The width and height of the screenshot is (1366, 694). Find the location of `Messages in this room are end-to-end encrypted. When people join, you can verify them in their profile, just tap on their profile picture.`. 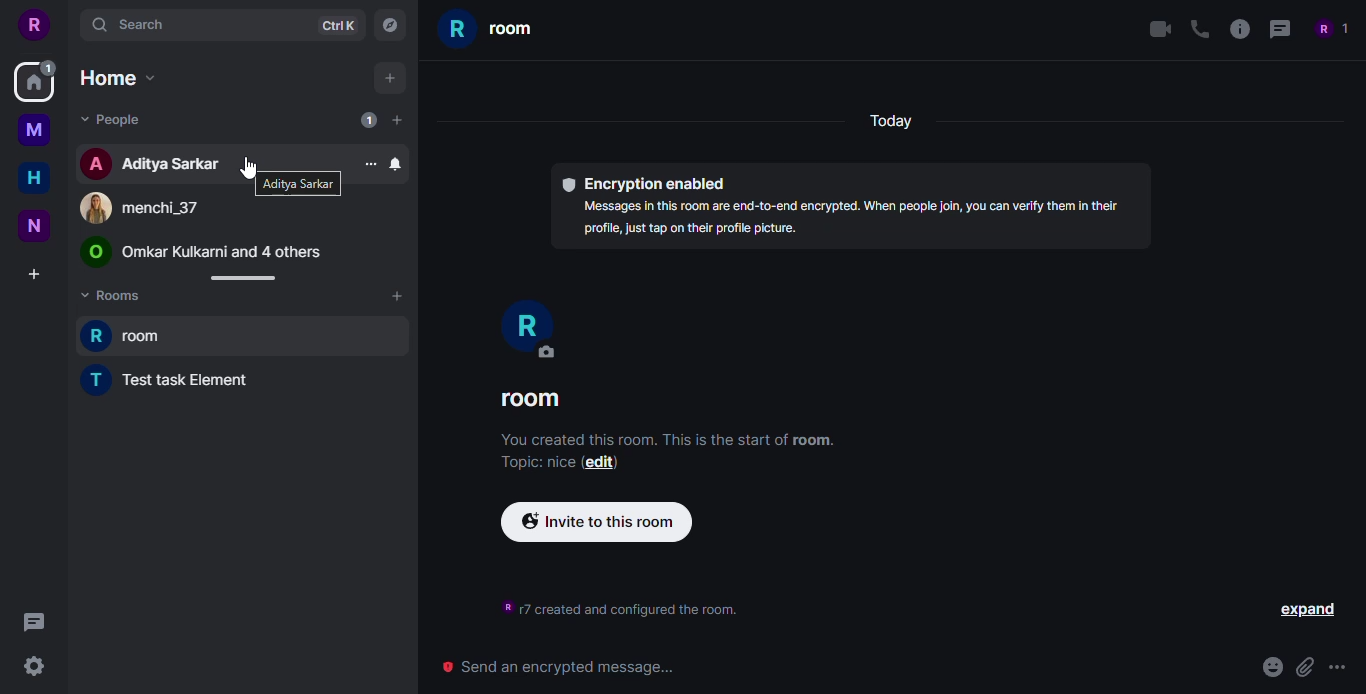

Messages in this room are end-to-end encrypted. When people join, you can verify them in their profile, just tap on their profile picture. is located at coordinates (847, 222).